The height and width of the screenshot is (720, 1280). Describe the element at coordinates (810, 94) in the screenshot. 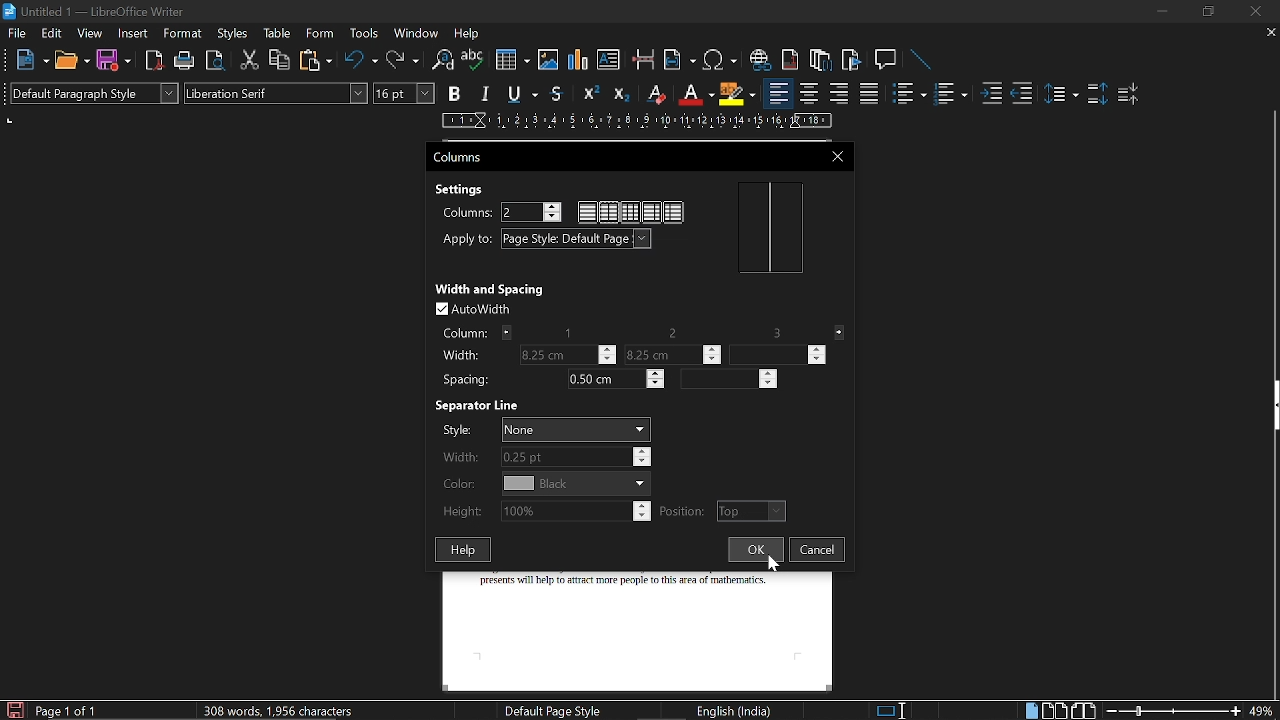

I see `Center` at that location.